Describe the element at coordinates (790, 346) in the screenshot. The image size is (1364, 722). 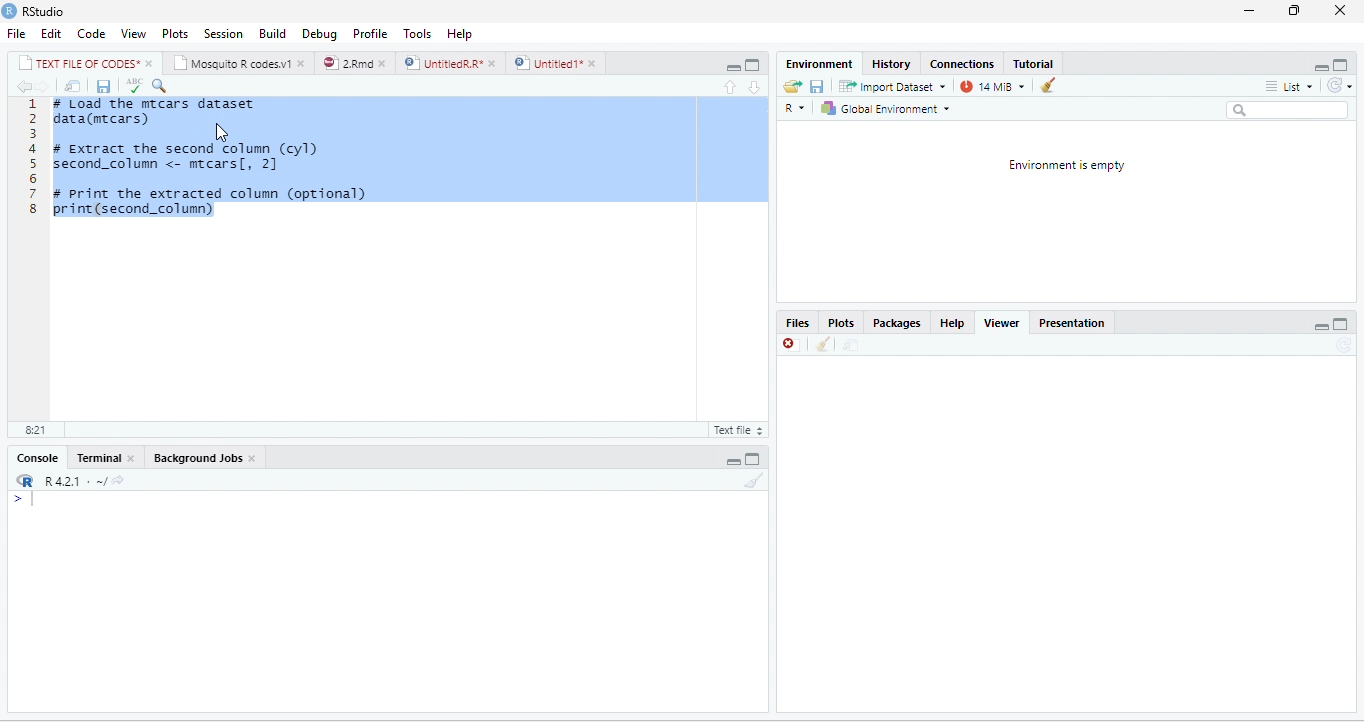
I see `close` at that location.